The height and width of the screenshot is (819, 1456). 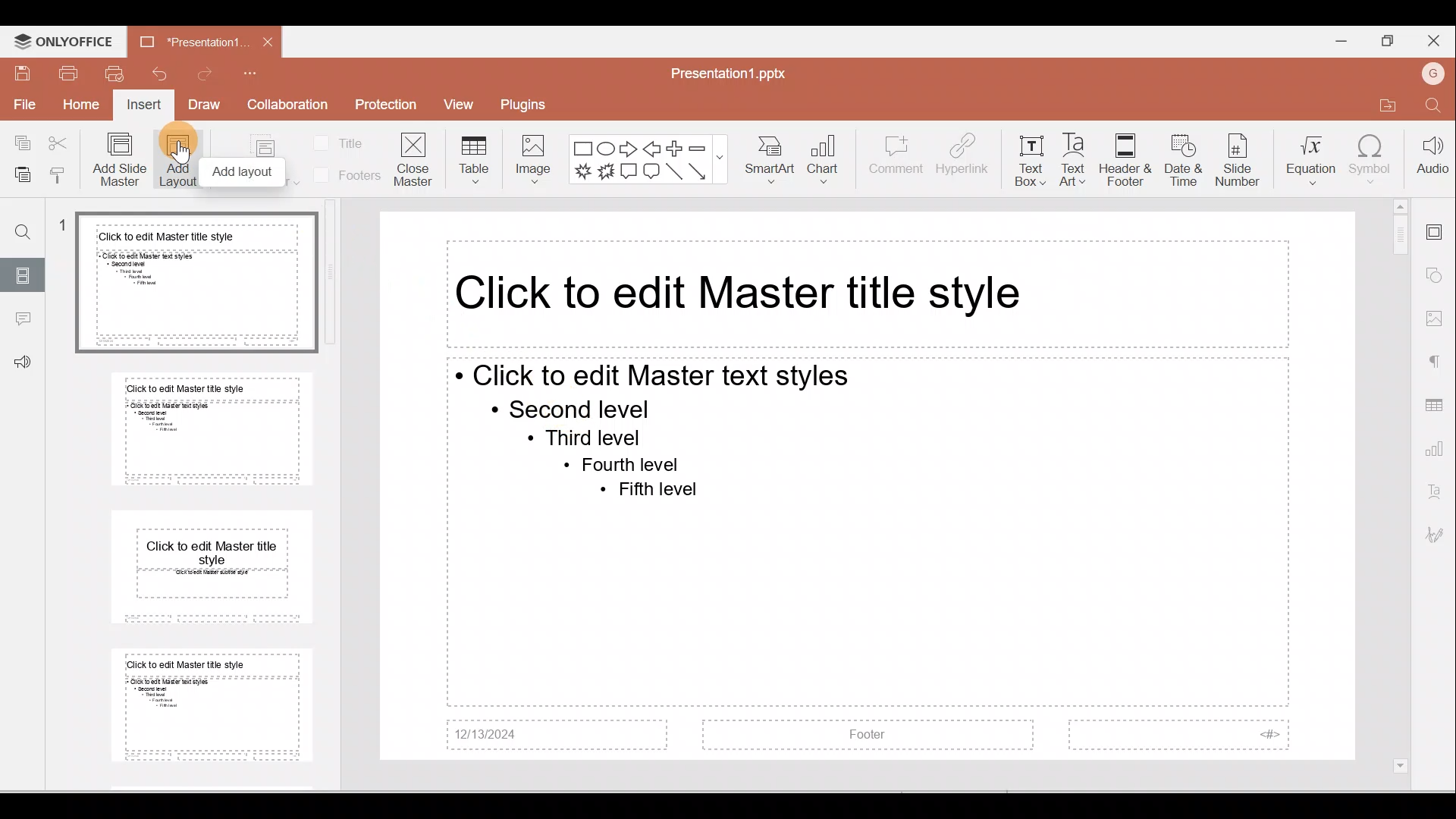 I want to click on Close, so click(x=1437, y=42).